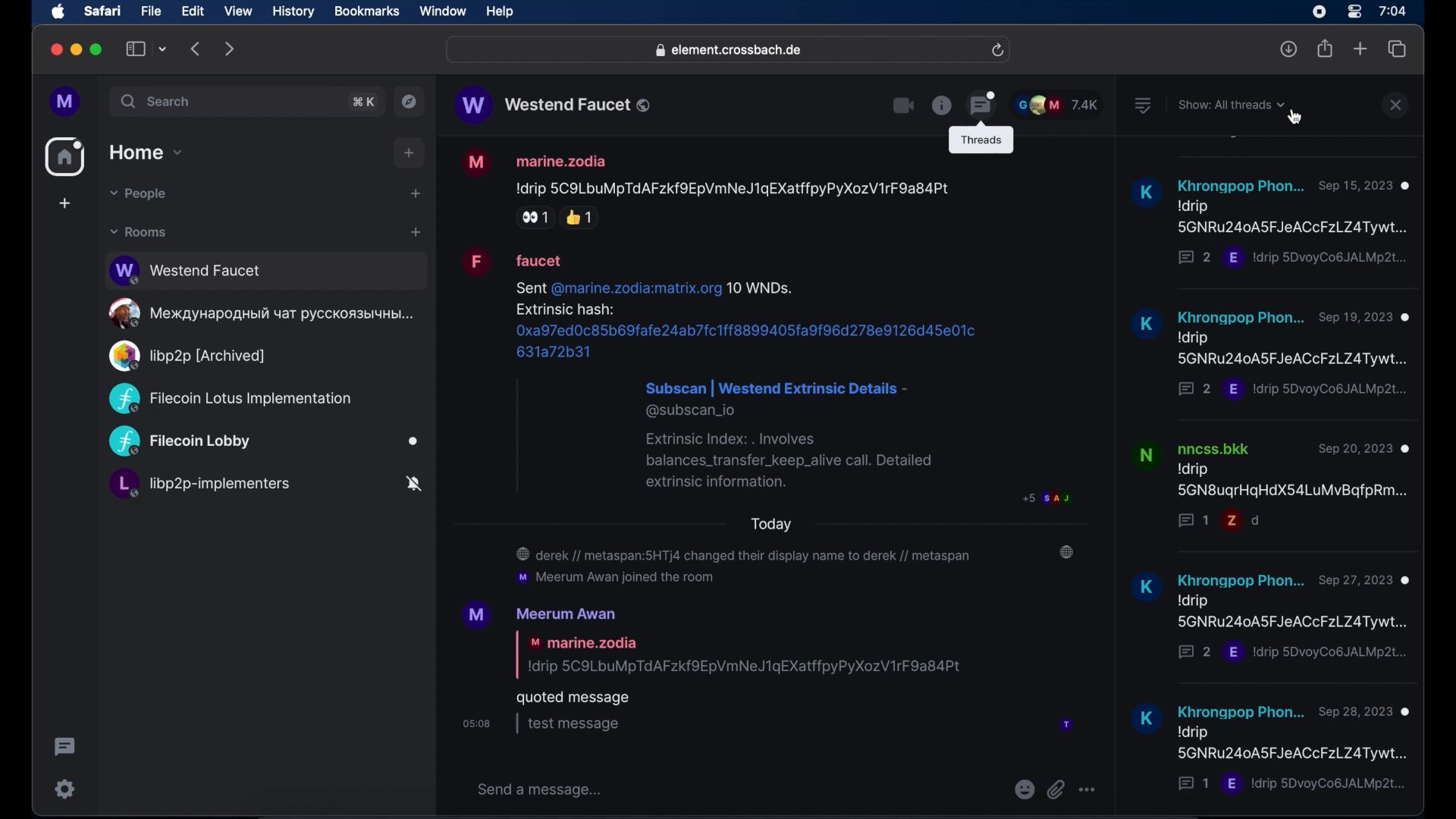  What do you see at coordinates (1190, 523) in the screenshot?
I see `1 message` at bounding box center [1190, 523].